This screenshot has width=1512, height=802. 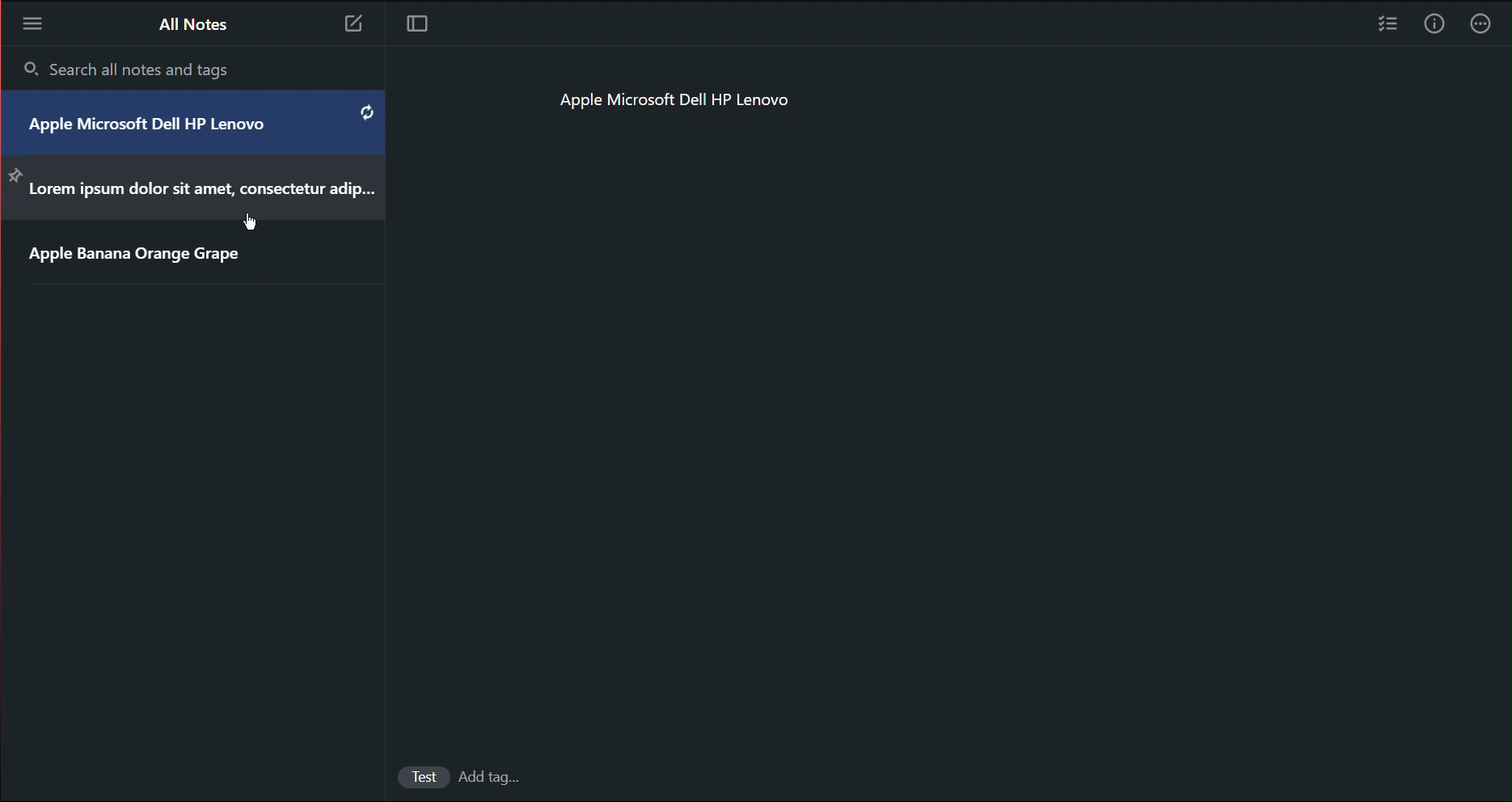 What do you see at coordinates (419, 24) in the screenshot?
I see `Focus Mode` at bounding box center [419, 24].